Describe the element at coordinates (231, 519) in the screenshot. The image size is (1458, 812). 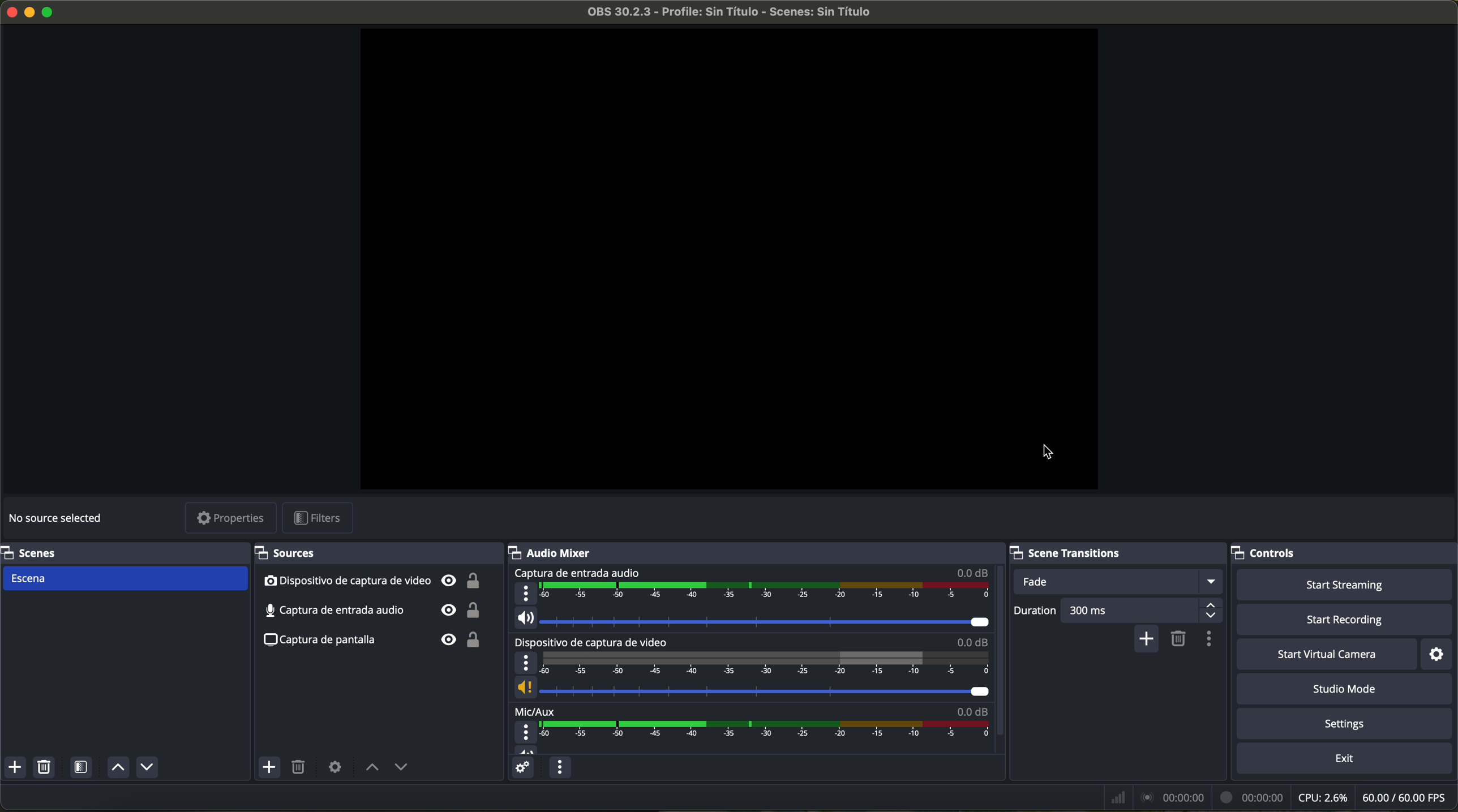
I see `properties` at that location.